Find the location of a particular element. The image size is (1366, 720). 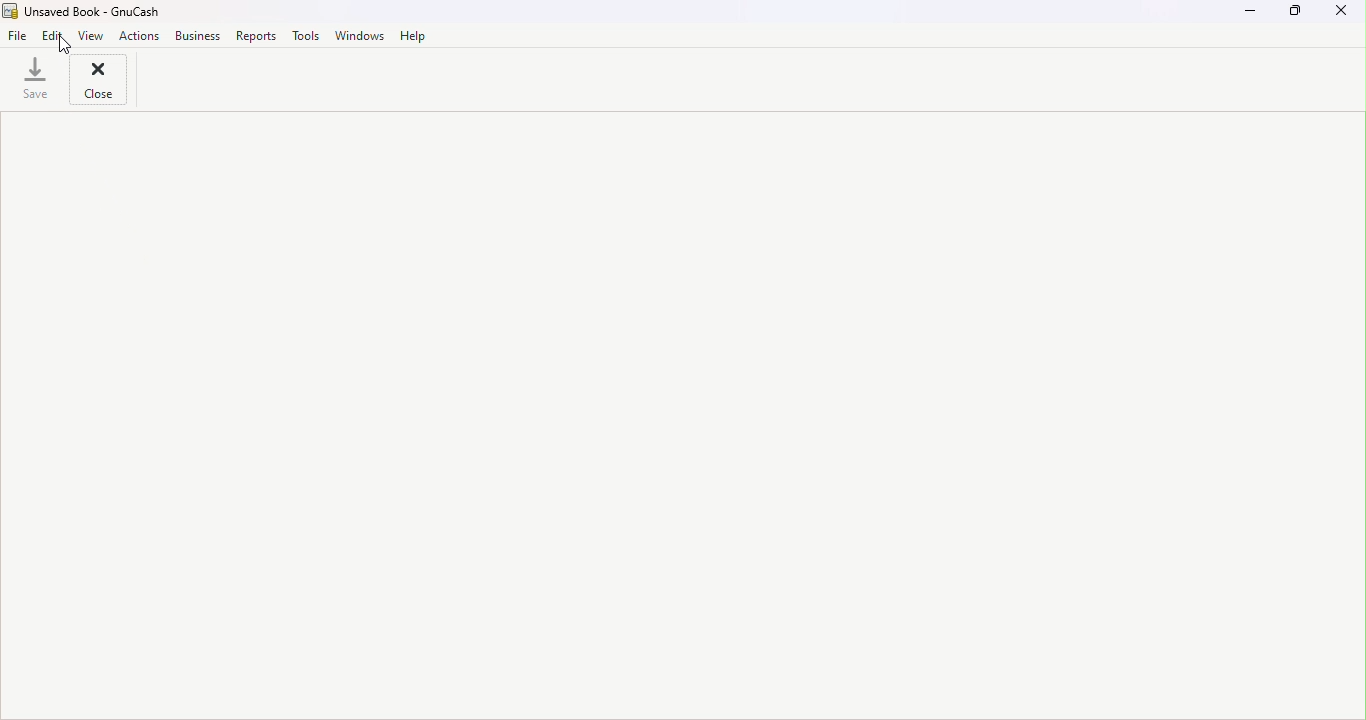

File is located at coordinates (17, 36).